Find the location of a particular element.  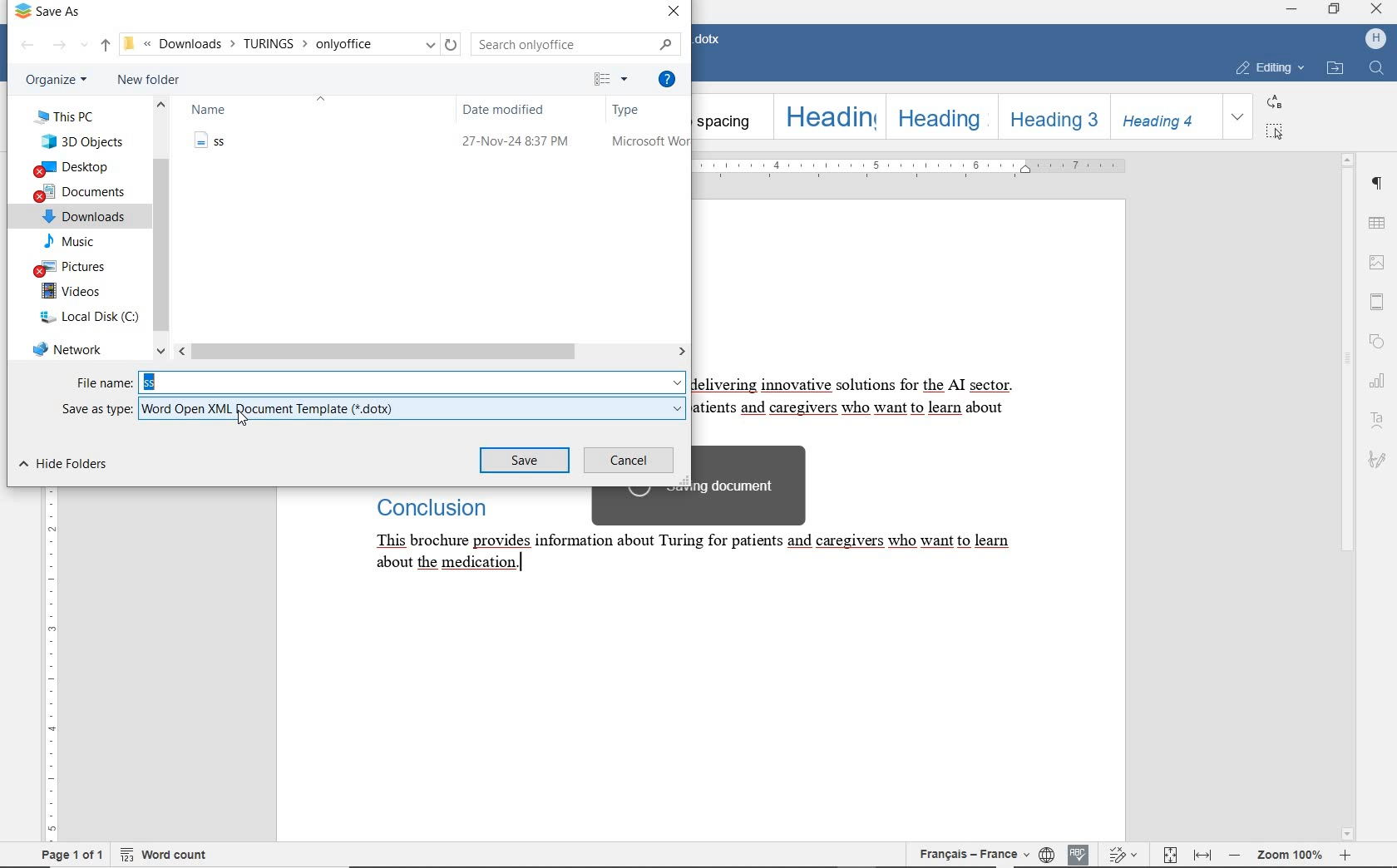

HEADING 4 is located at coordinates (1163, 117).